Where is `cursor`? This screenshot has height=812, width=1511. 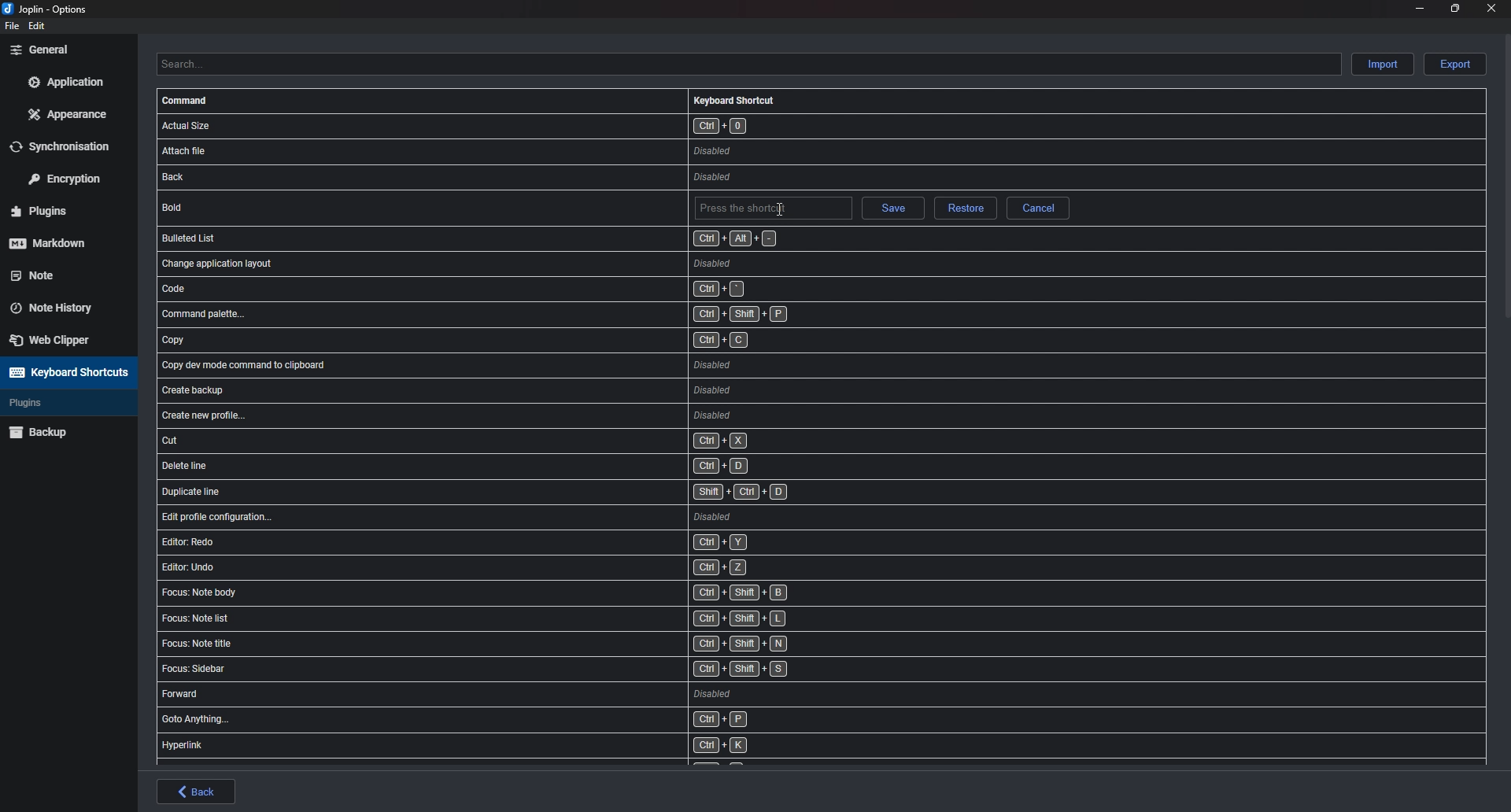 cursor is located at coordinates (780, 206).